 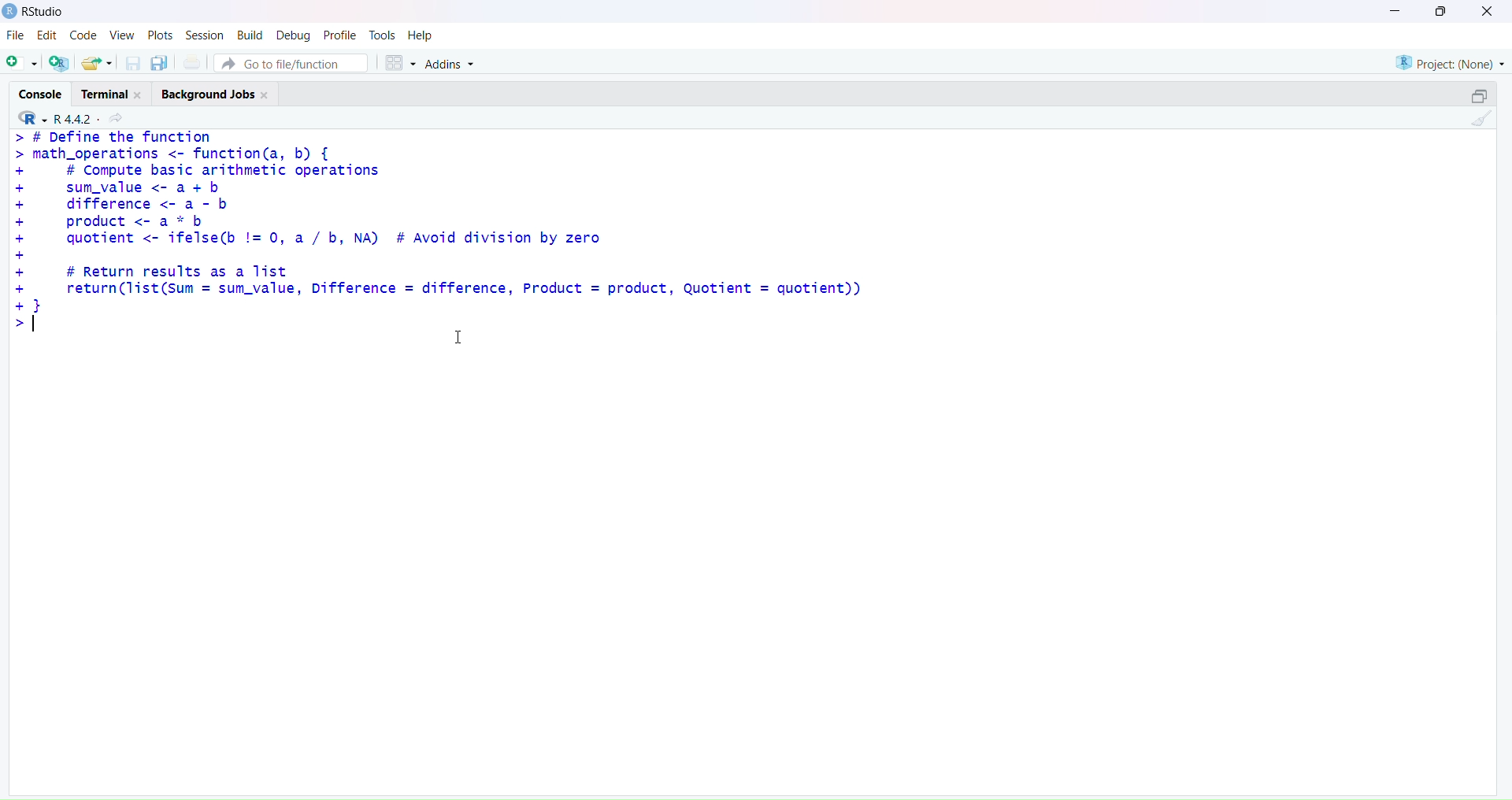 I want to click on File, so click(x=13, y=36).